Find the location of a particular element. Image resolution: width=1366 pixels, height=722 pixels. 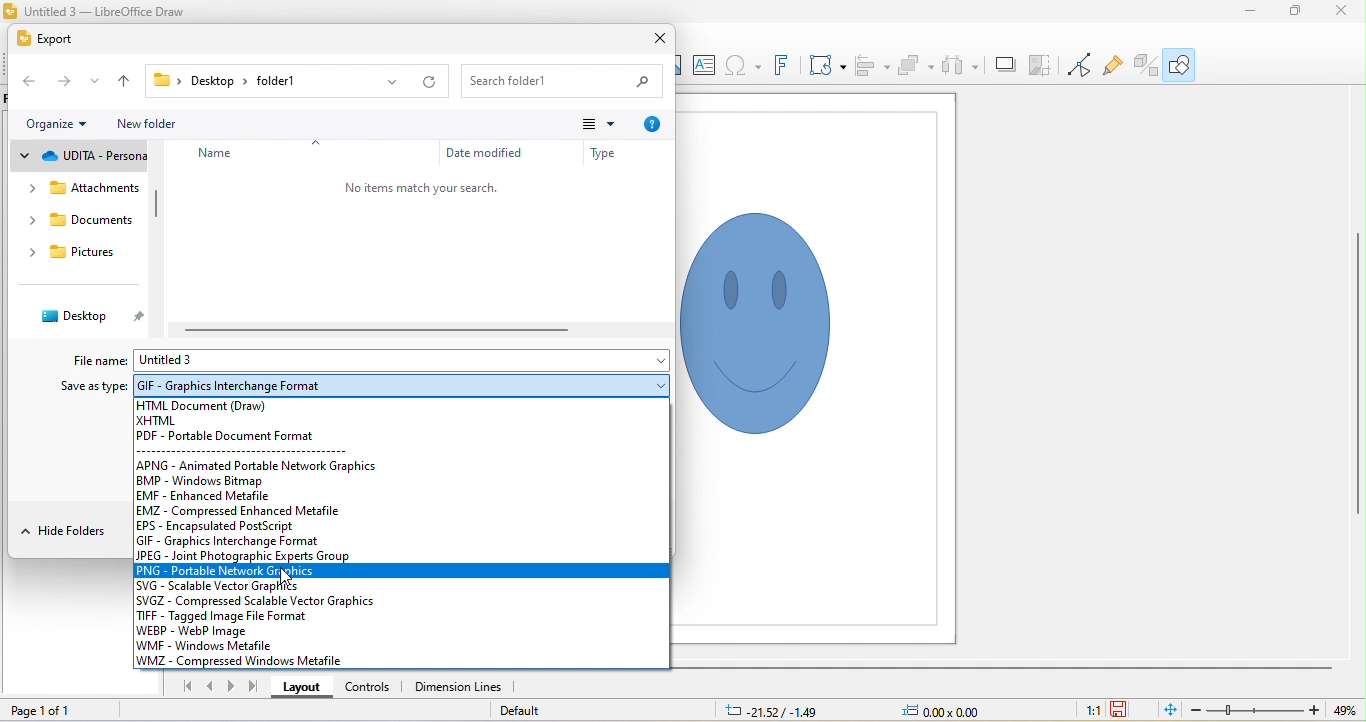

save as type is located at coordinates (95, 388).